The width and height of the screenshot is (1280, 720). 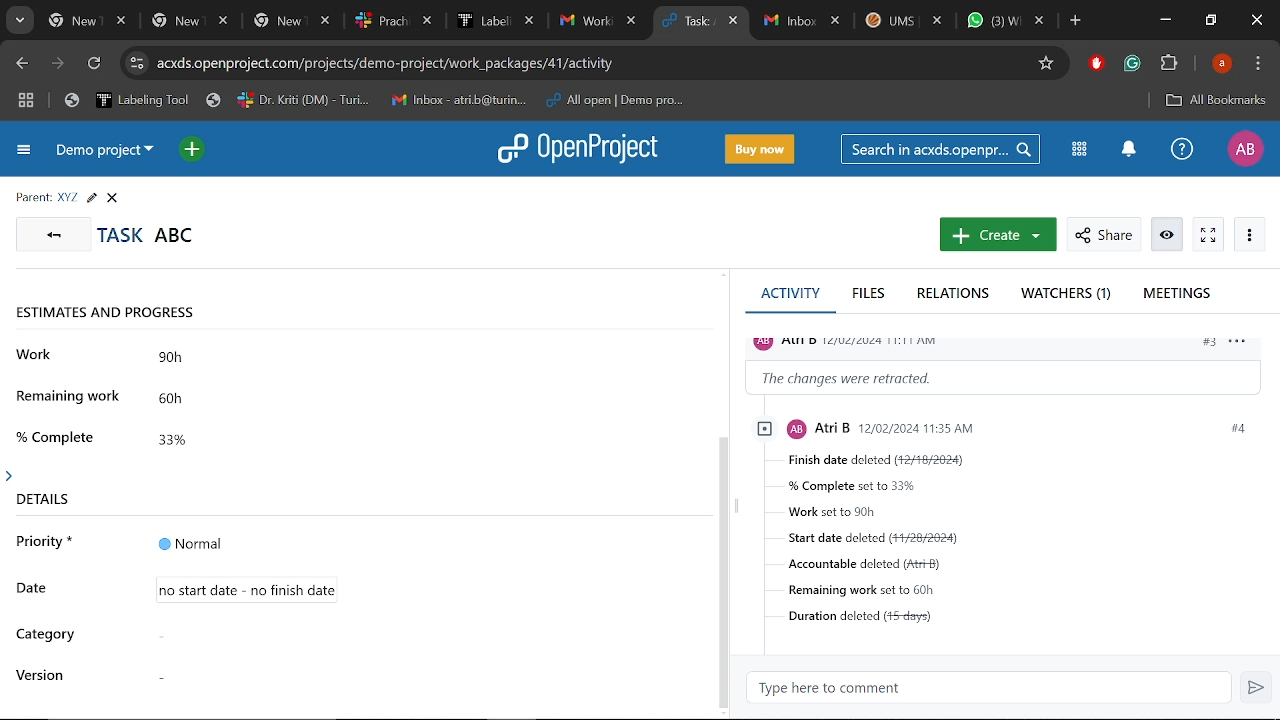 What do you see at coordinates (68, 198) in the screenshot?
I see `Parent task` at bounding box center [68, 198].